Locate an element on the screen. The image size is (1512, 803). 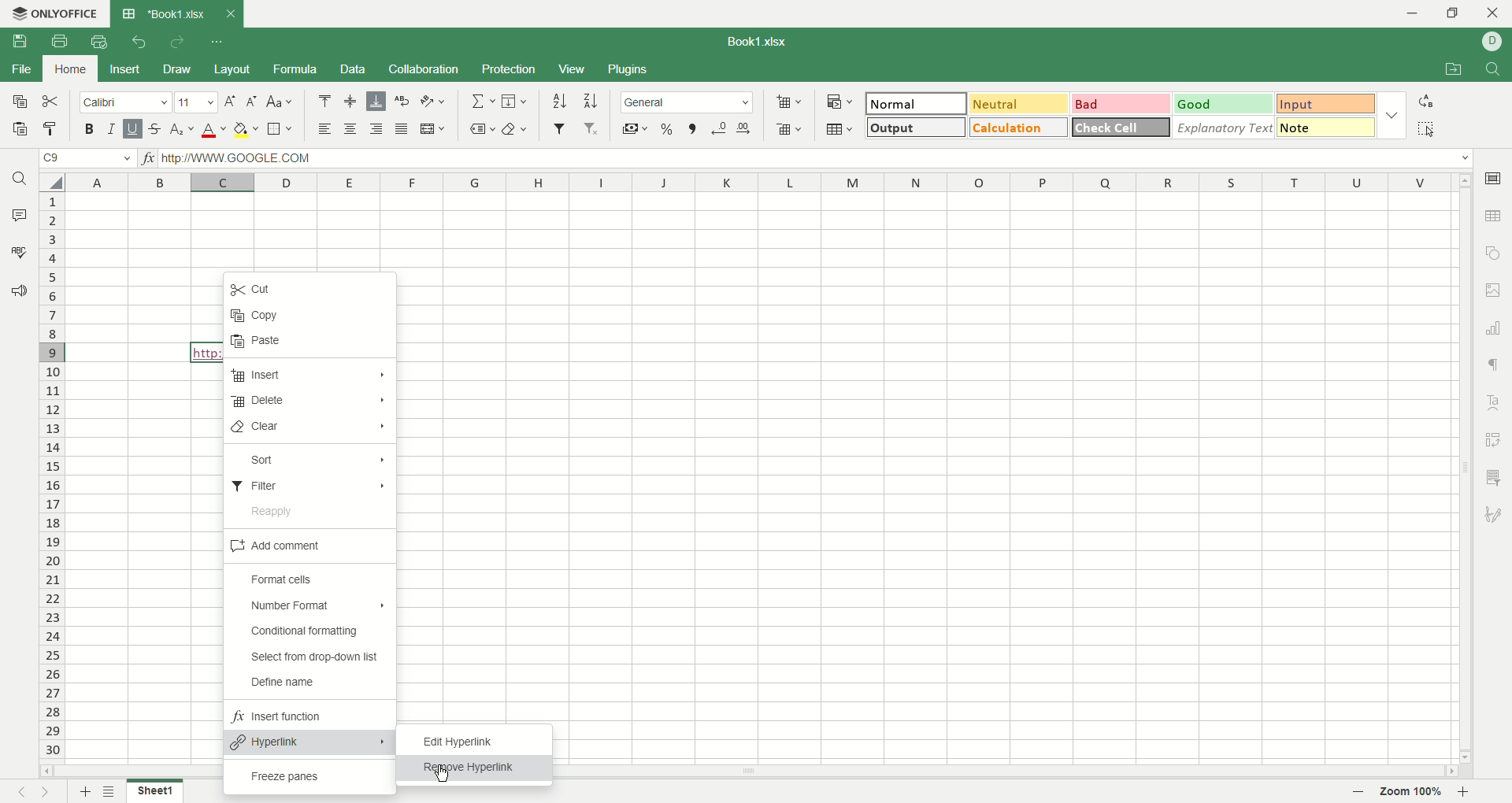
close is located at coordinates (230, 13).